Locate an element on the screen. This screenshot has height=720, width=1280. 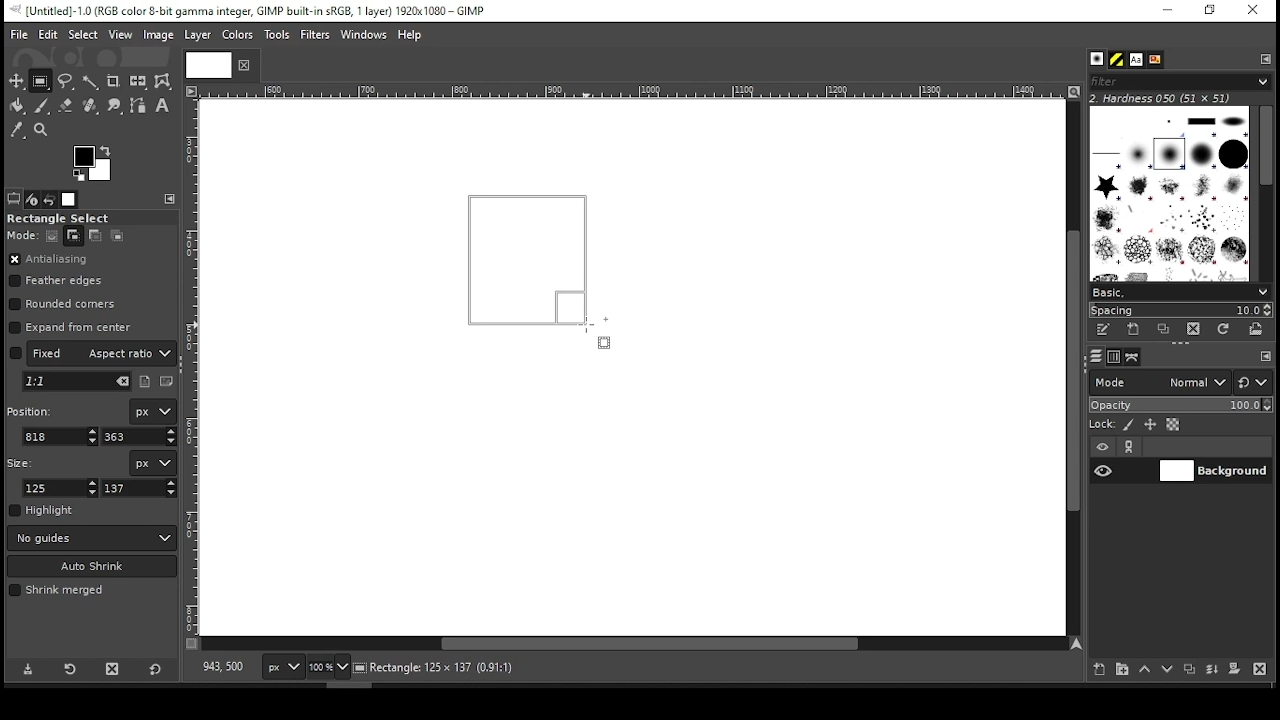
layer visibility is located at coordinates (1103, 447).